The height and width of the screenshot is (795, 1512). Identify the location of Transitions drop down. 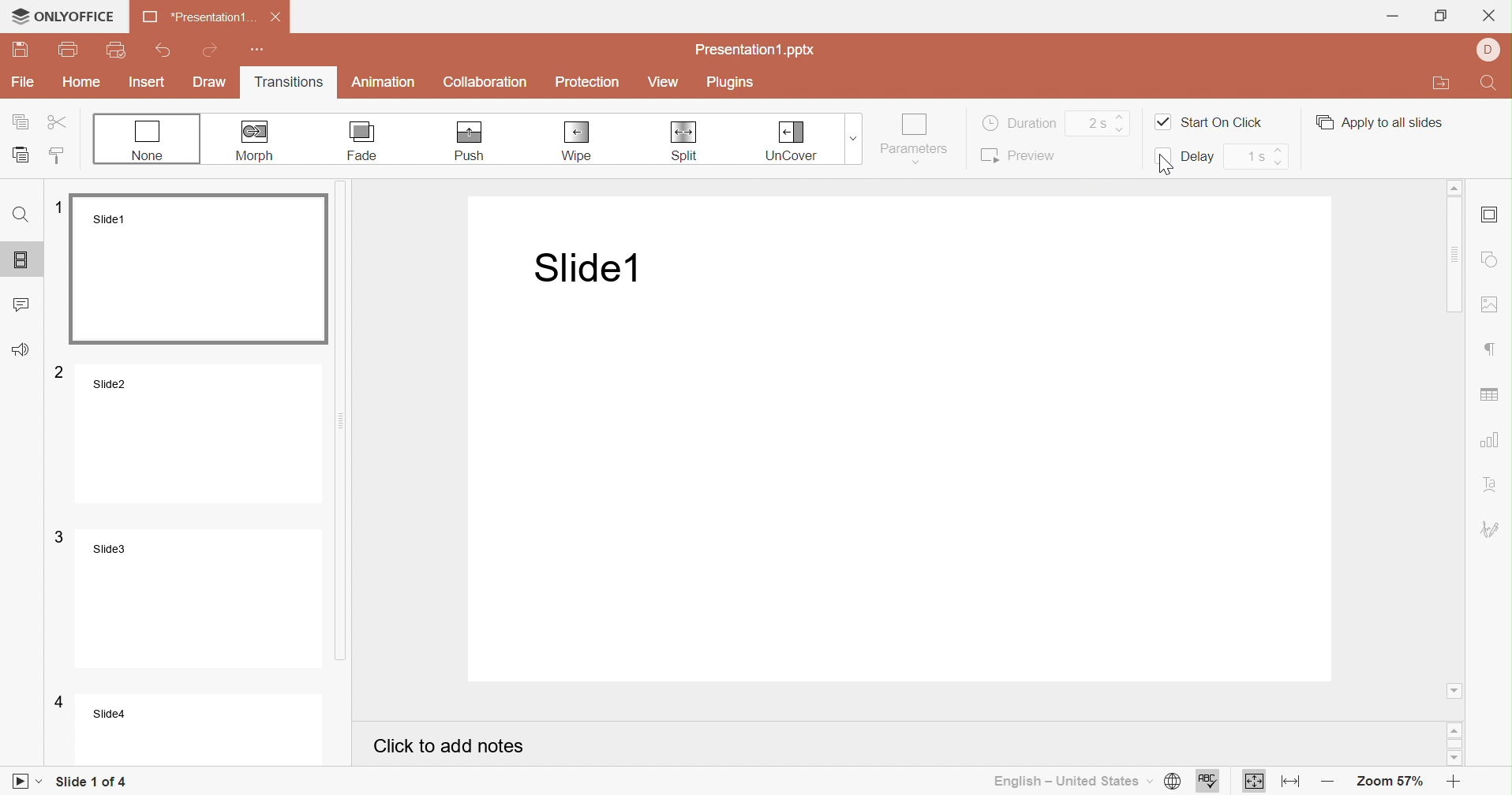
(857, 137).